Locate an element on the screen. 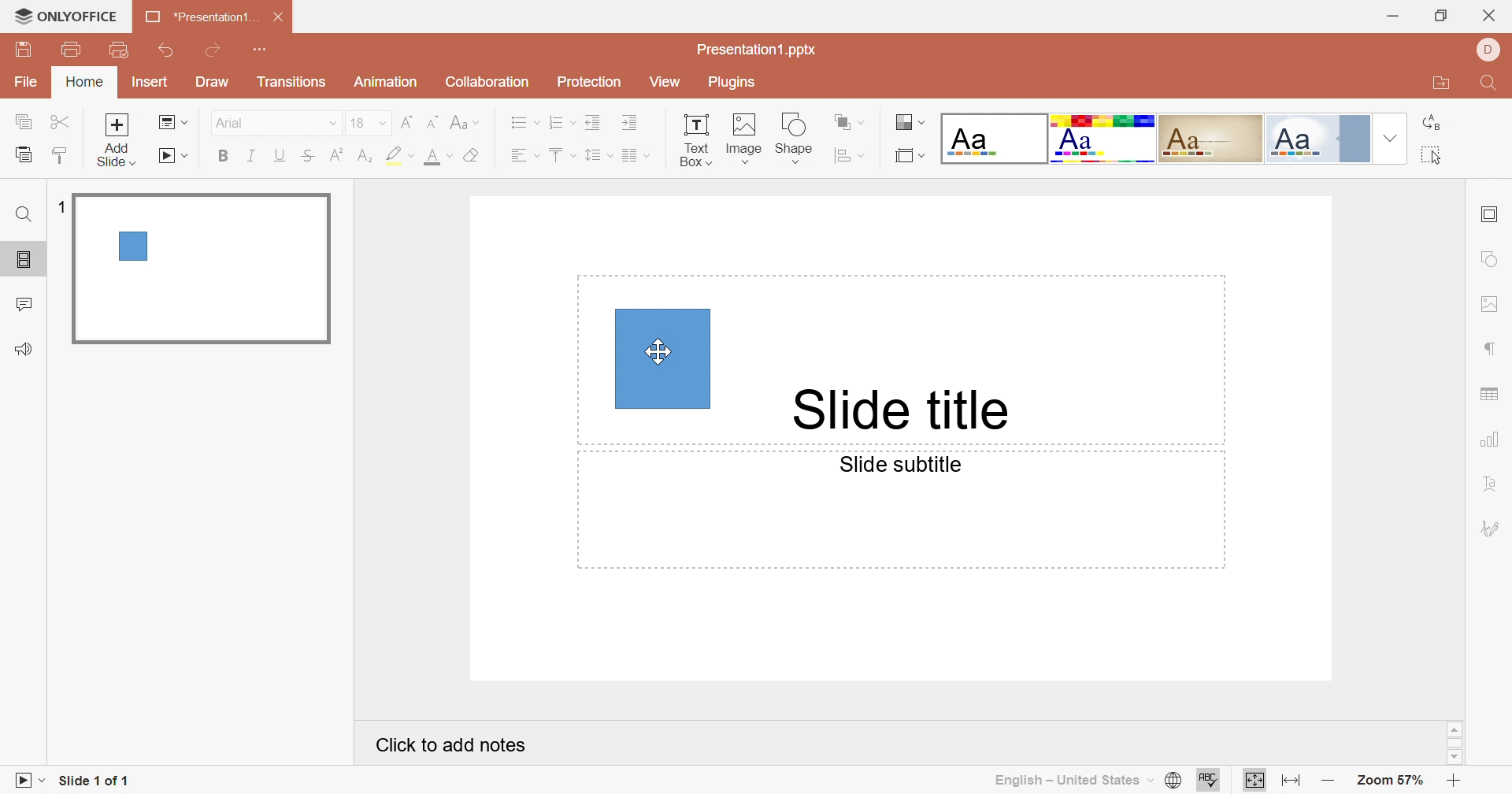 The height and width of the screenshot is (794, 1512). Arrange shape is located at coordinates (851, 121).